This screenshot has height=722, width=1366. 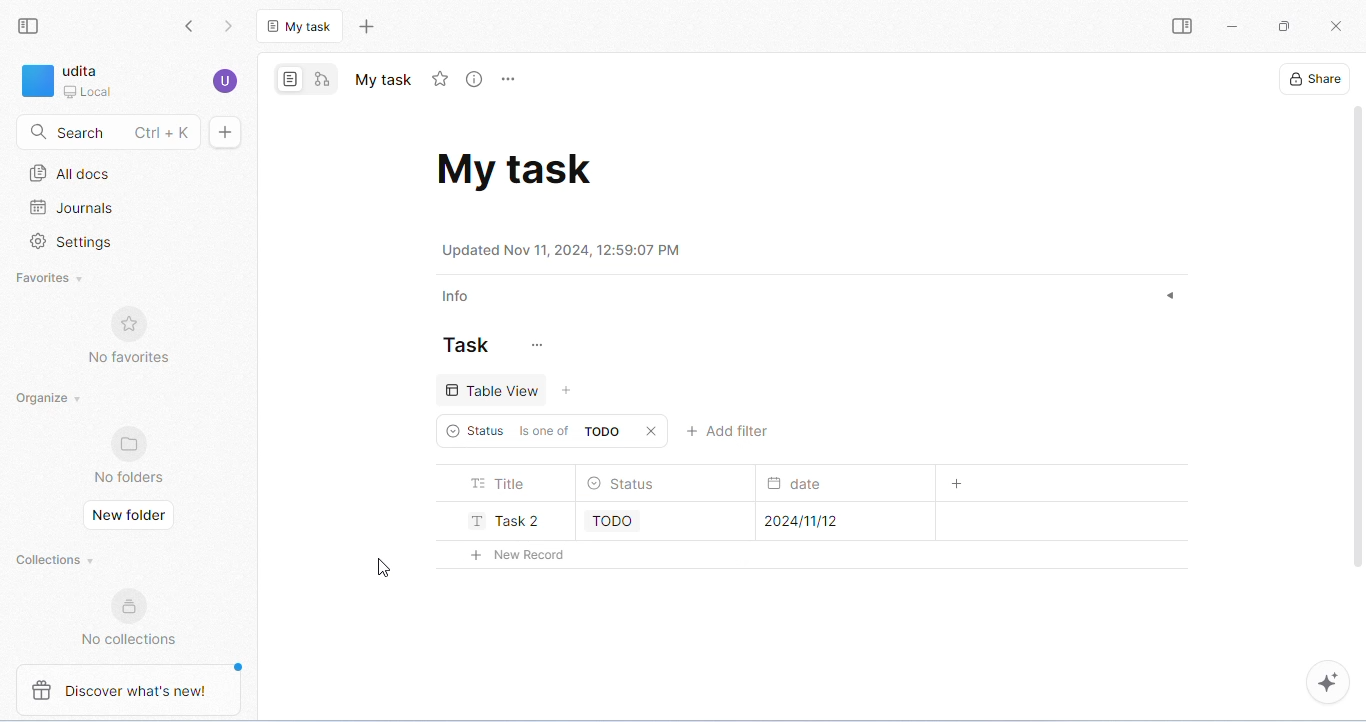 What do you see at coordinates (466, 345) in the screenshot?
I see `task` at bounding box center [466, 345].